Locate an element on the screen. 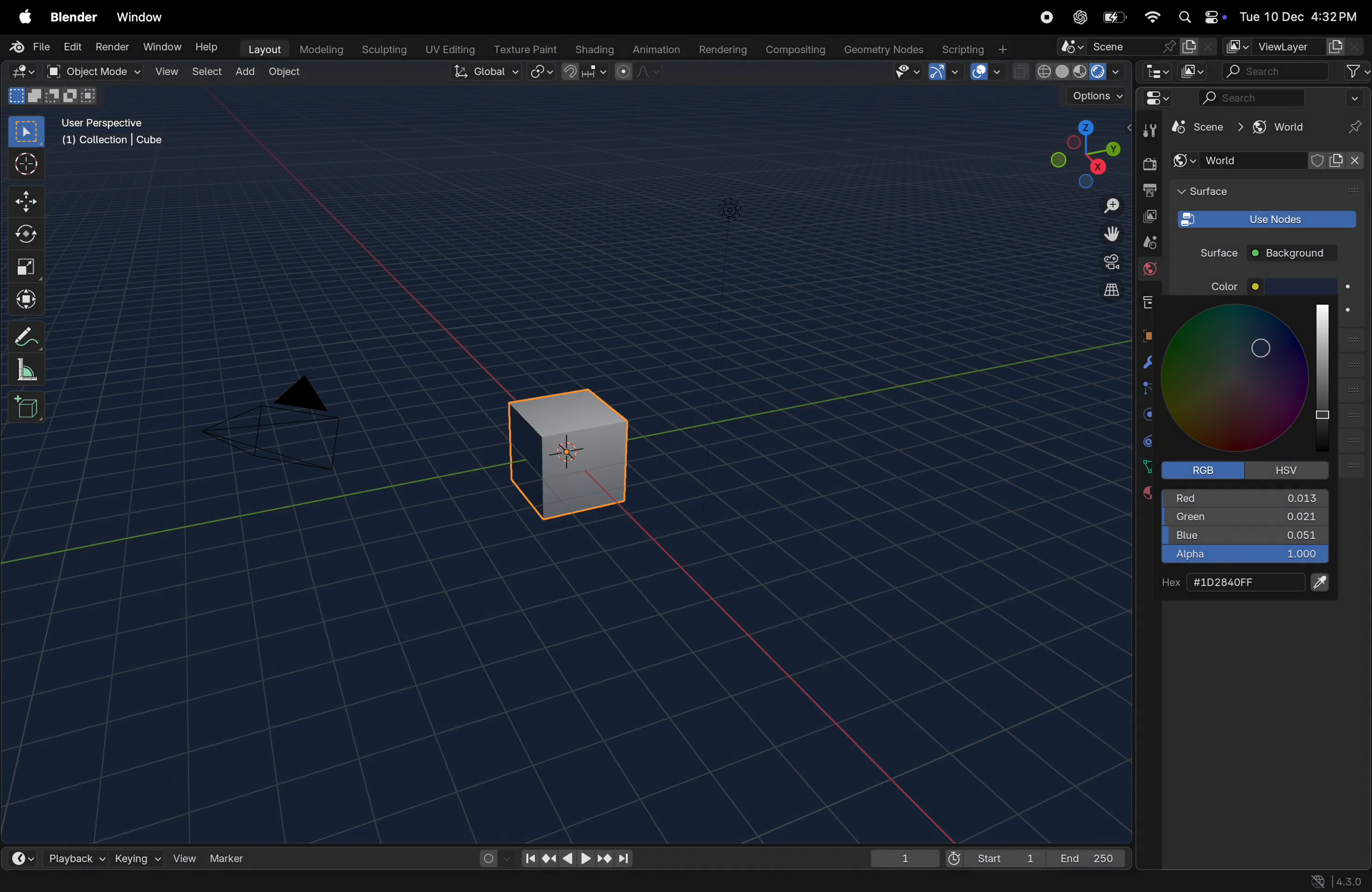  editor mode is located at coordinates (1154, 71).